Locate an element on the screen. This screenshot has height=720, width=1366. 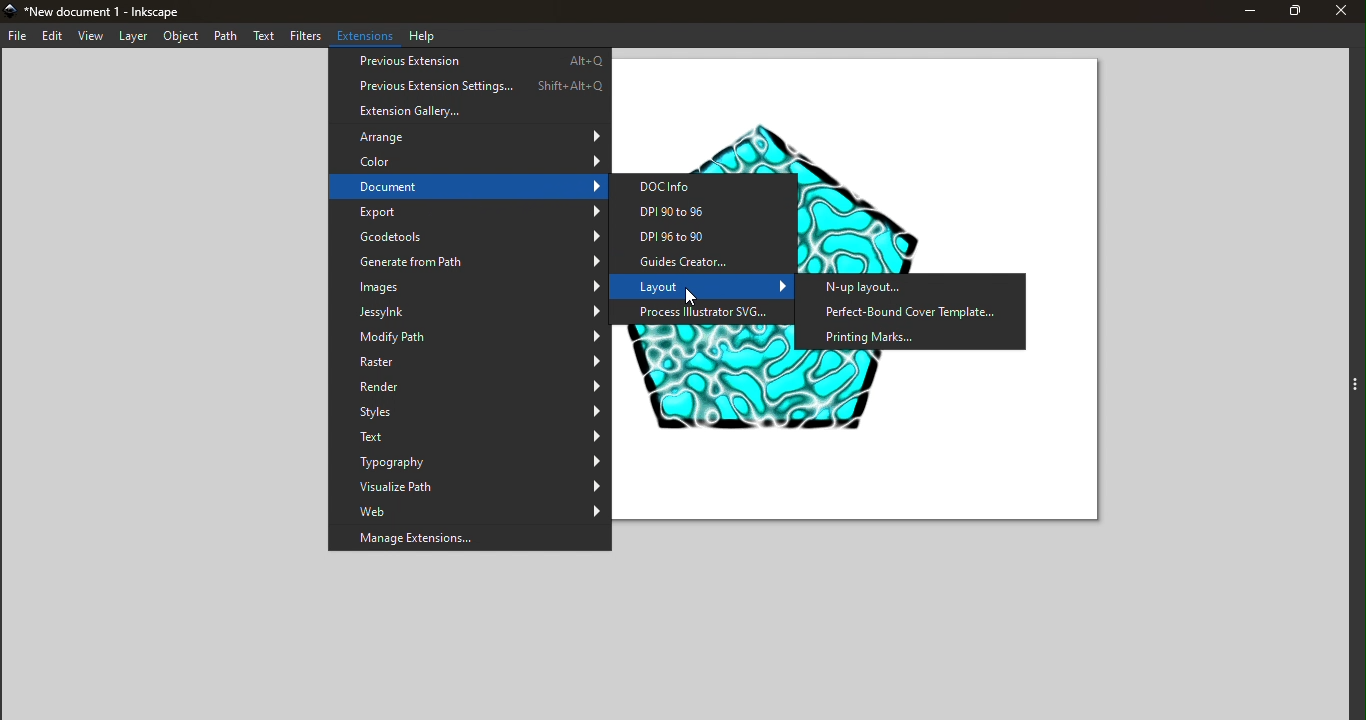
Process Illustrator SVG... is located at coordinates (705, 314).